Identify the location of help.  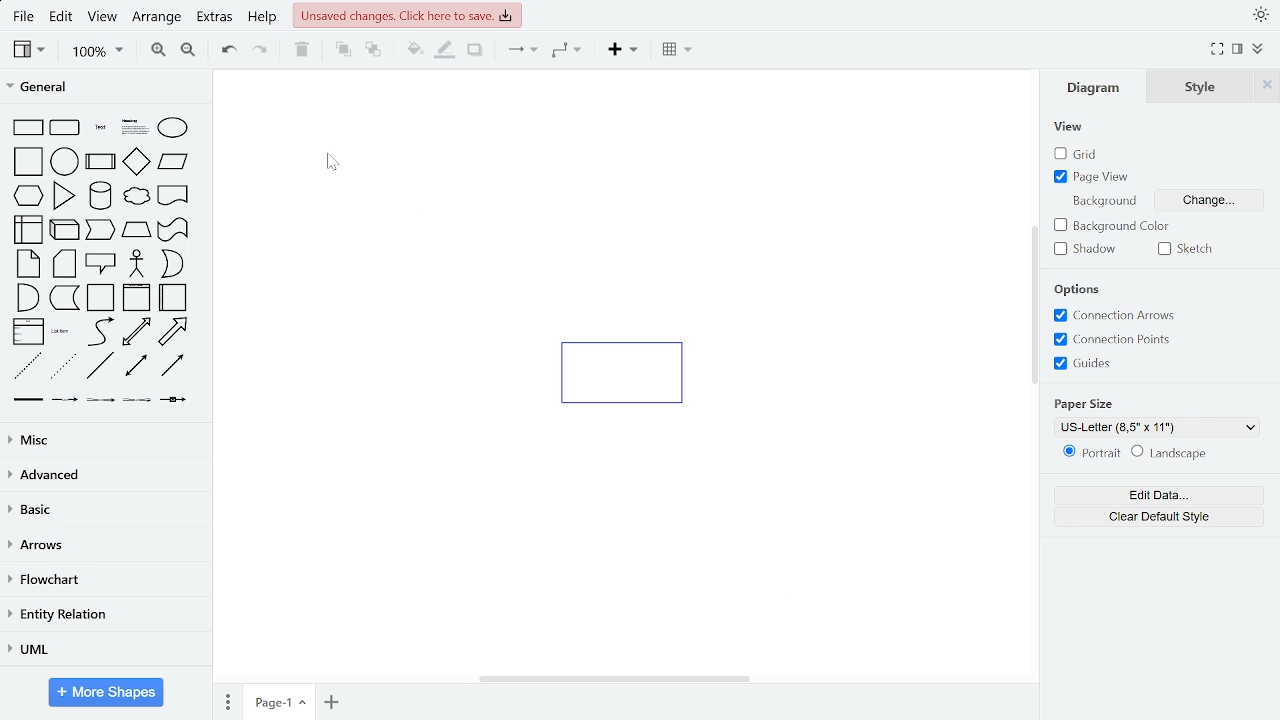
(263, 19).